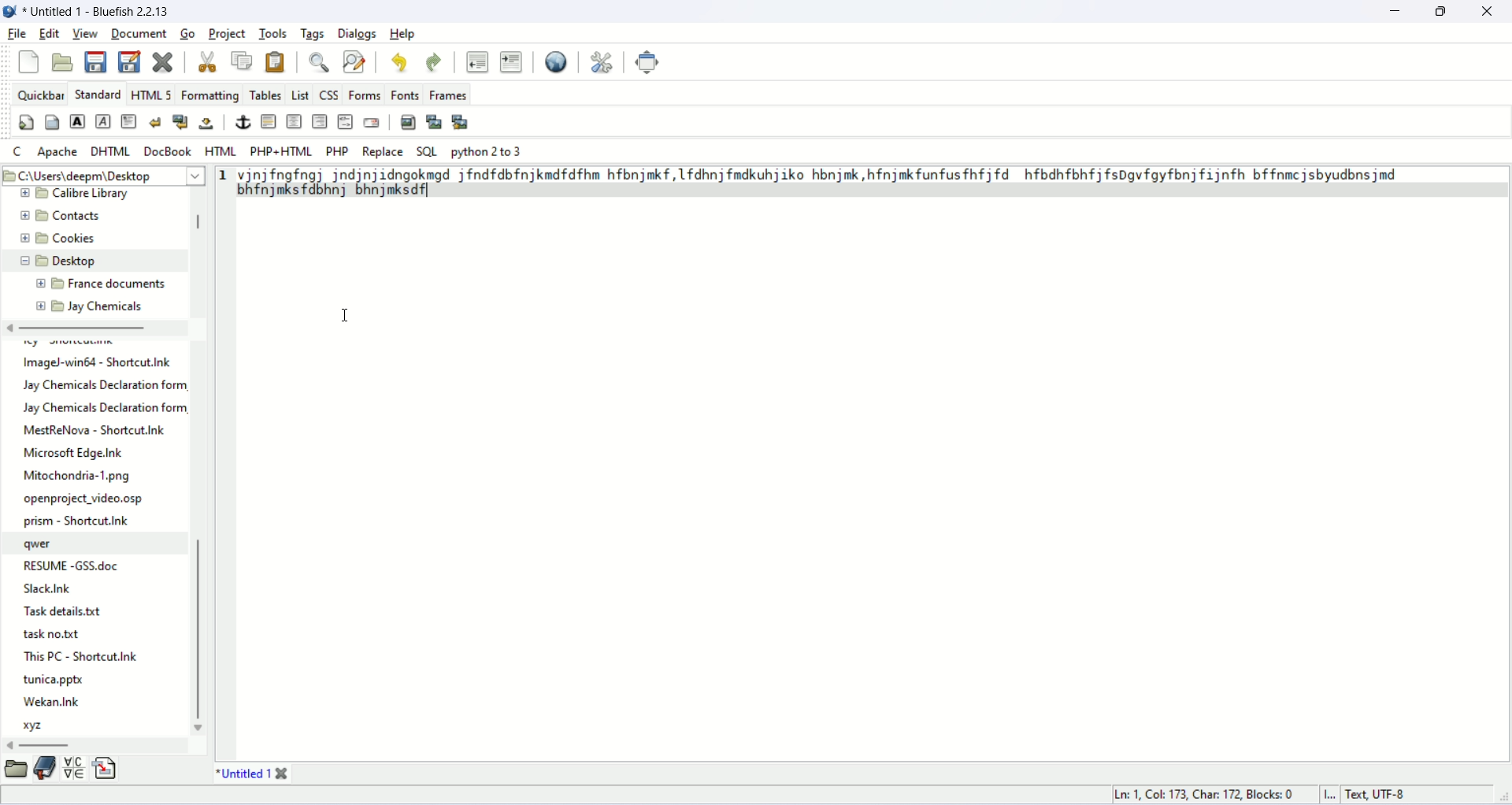  What do you see at coordinates (243, 121) in the screenshot?
I see `anchor` at bounding box center [243, 121].